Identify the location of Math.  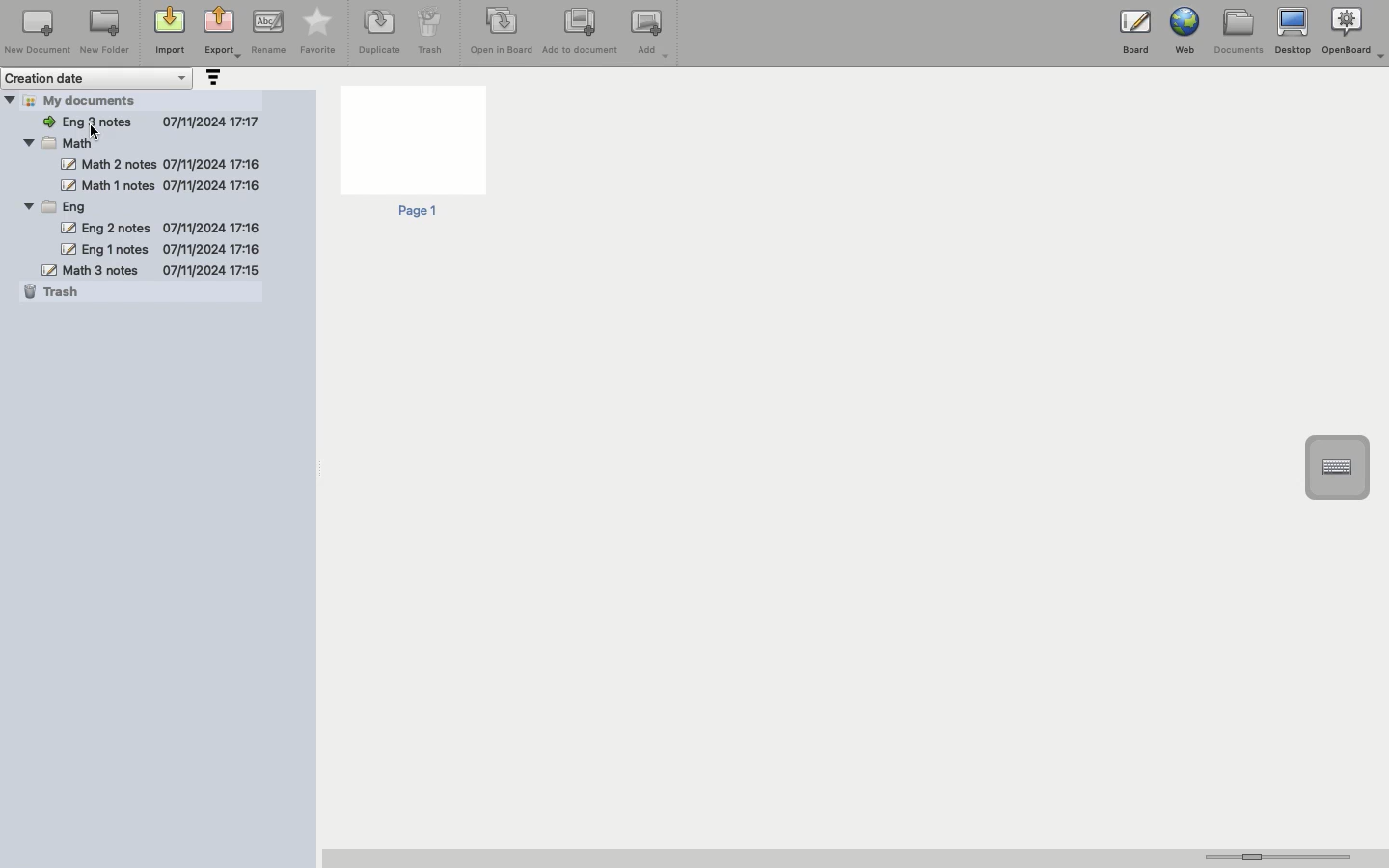
(70, 143).